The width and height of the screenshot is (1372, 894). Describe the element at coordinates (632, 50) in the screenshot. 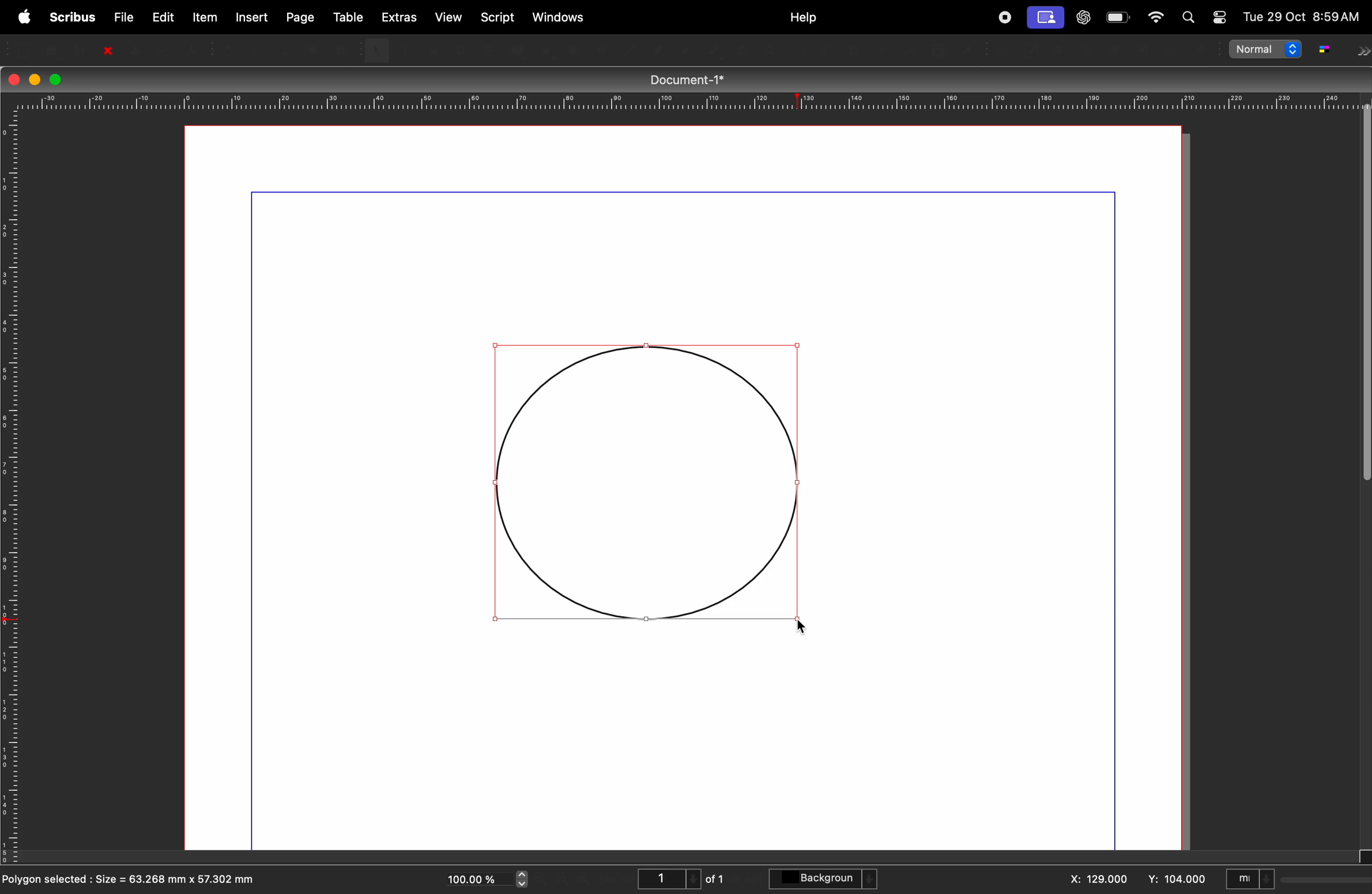

I see `Line` at that location.